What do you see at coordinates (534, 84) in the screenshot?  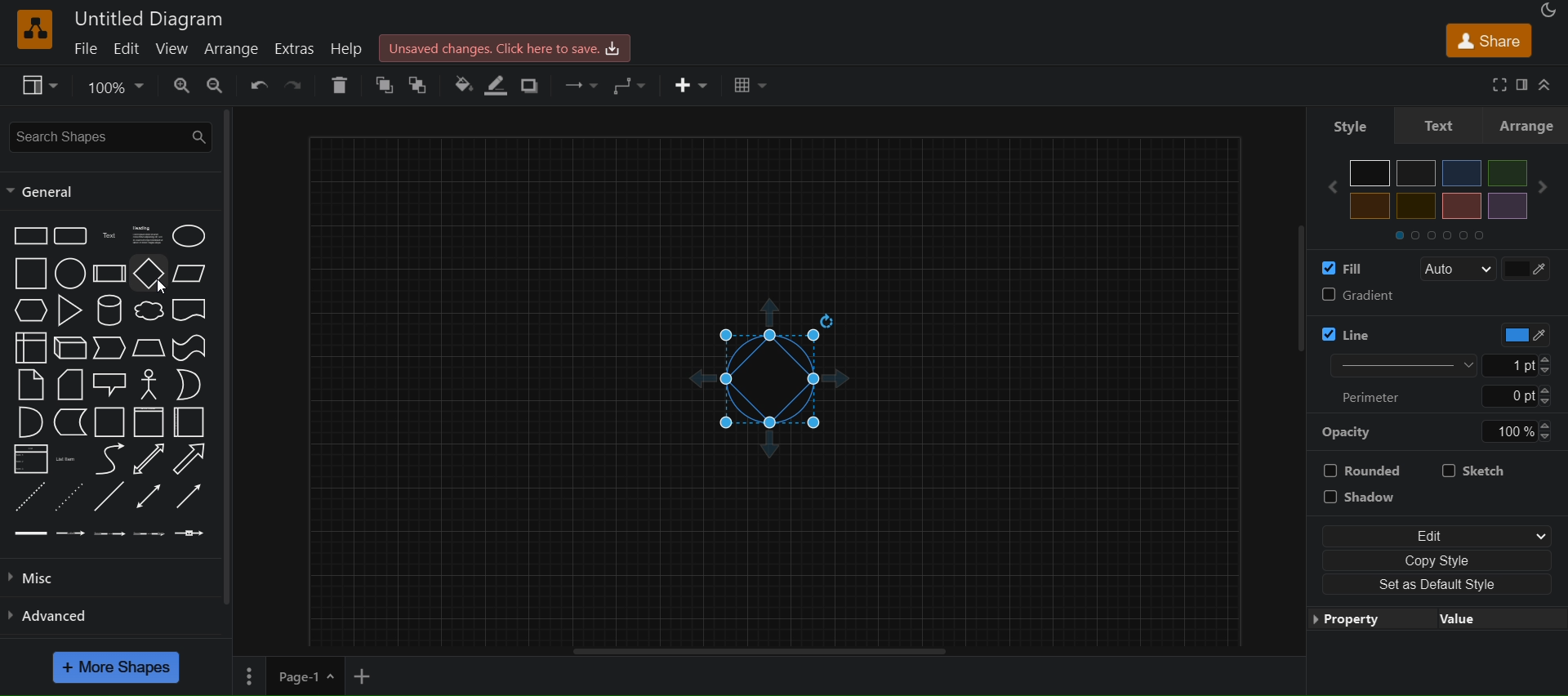 I see `shadow` at bounding box center [534, 84].